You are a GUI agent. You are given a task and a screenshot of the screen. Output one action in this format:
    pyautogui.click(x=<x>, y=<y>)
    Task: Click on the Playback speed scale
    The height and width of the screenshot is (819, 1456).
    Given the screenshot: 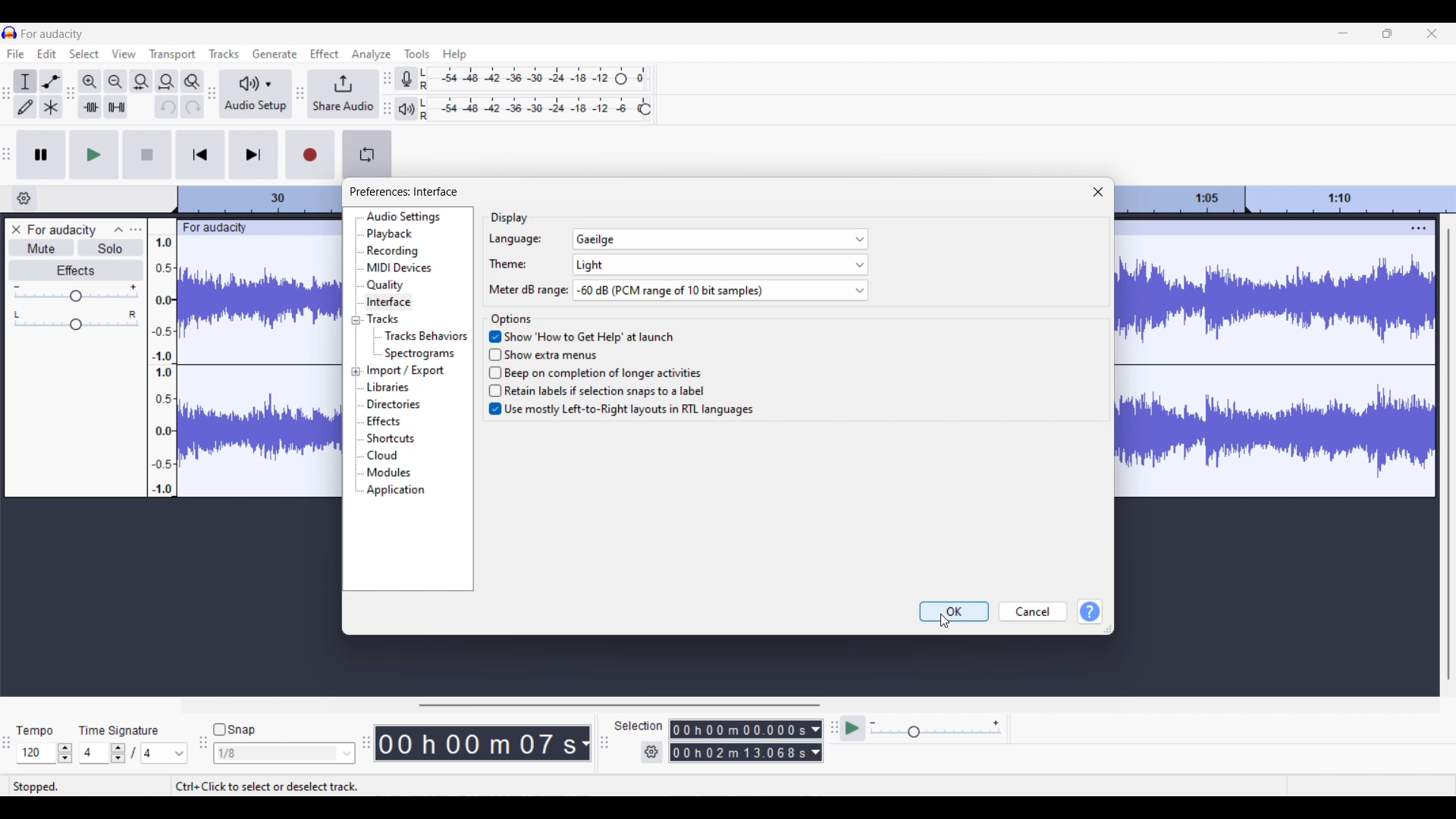 What is the action you would take?
    pyautogui.click(x=936, y=728)
    